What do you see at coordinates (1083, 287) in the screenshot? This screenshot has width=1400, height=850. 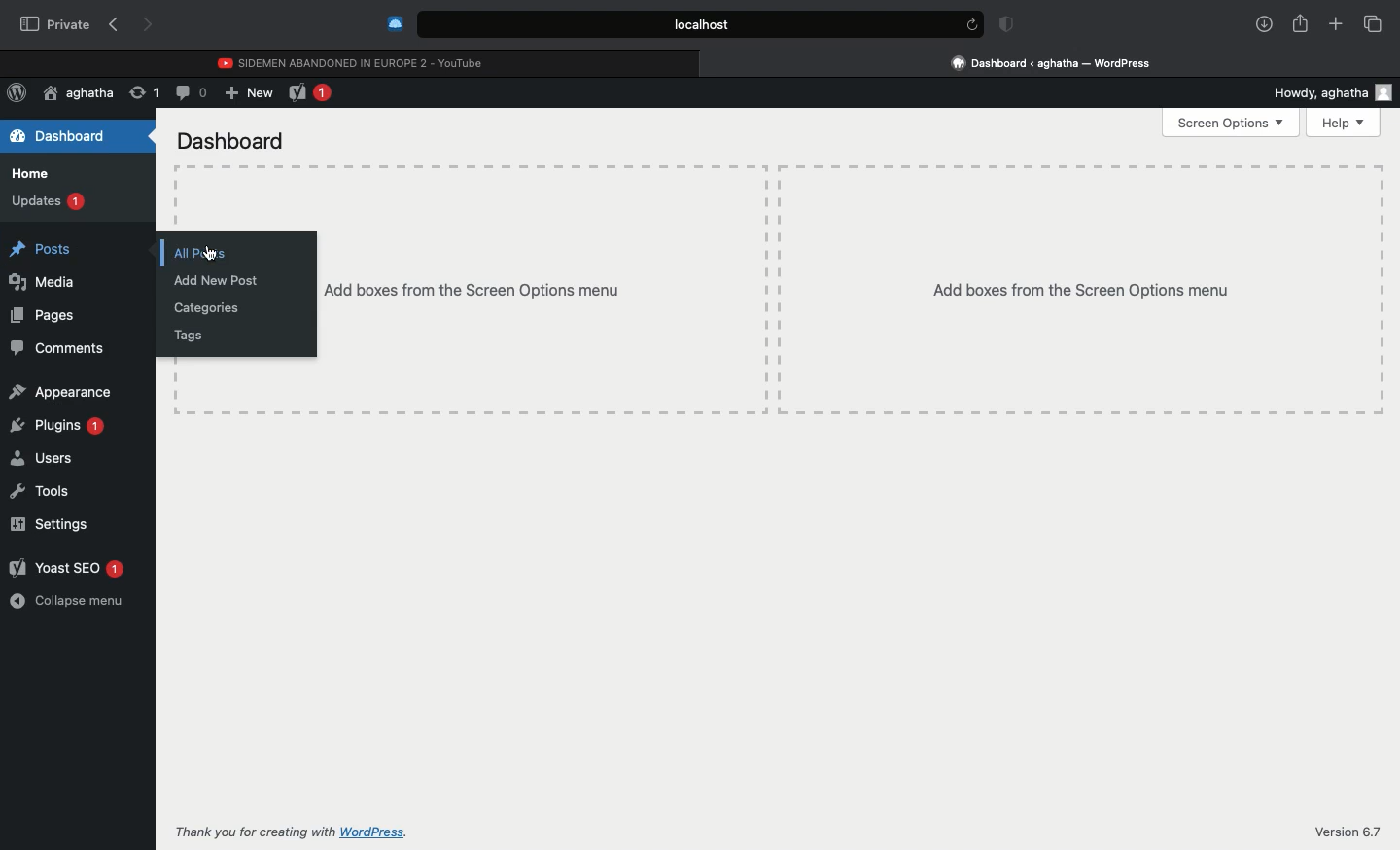 I see `Add boxes from the screen options menu` at bounding box center [1083, 287].